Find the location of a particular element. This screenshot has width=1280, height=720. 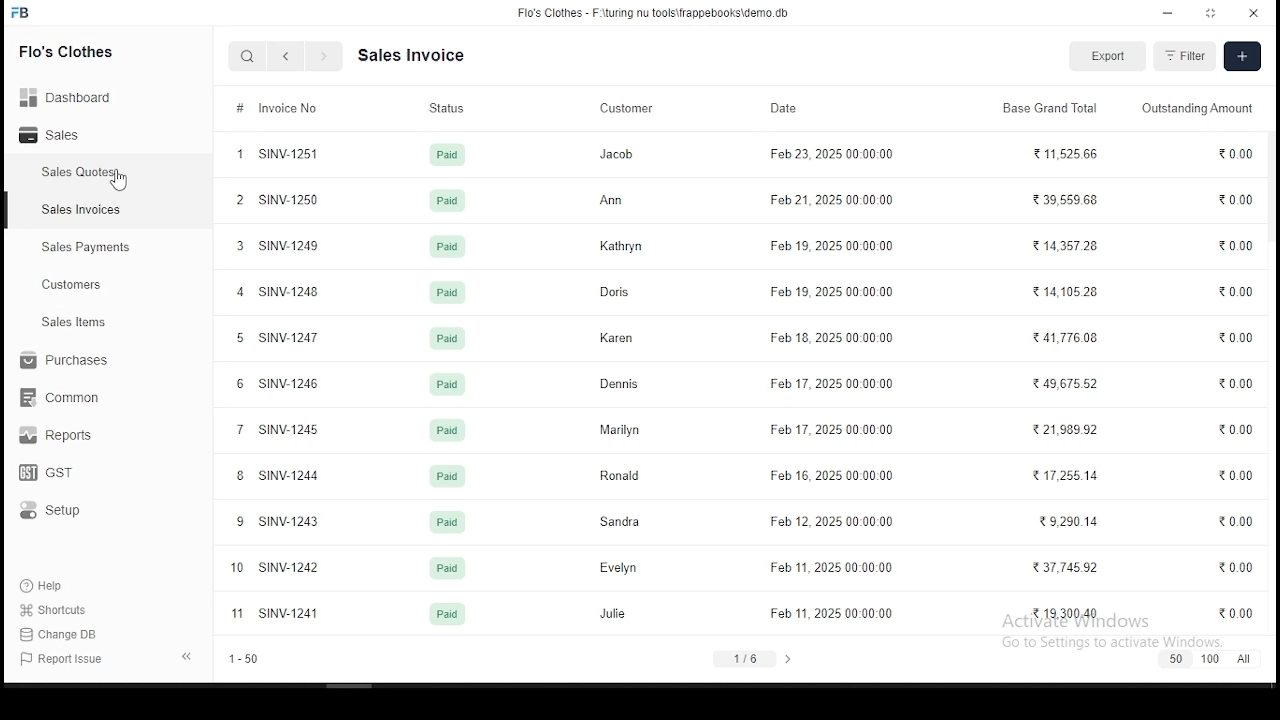

paid is located at coordinates (446, 246).